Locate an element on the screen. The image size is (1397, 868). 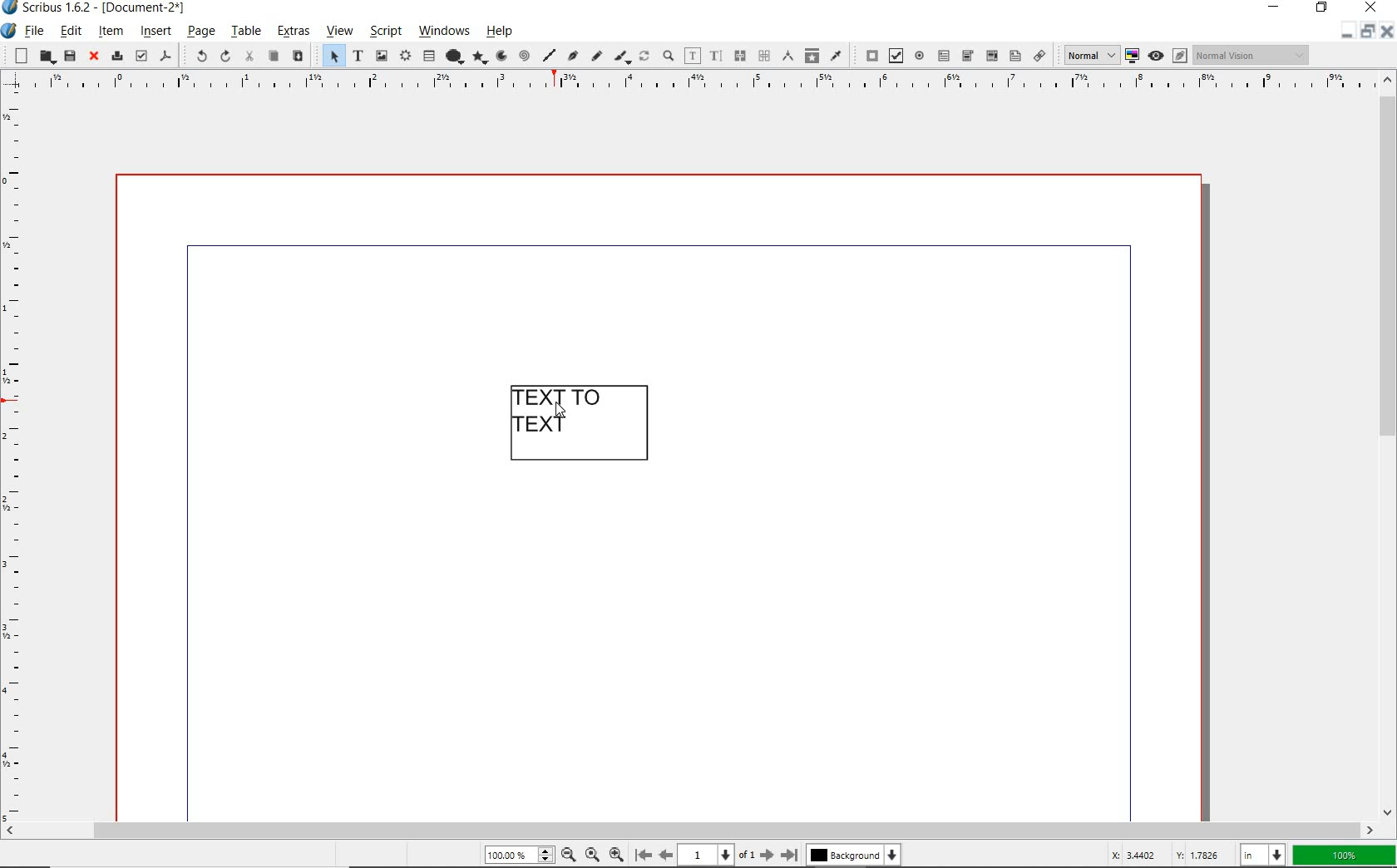
redo is located at coordinates (224, 57).